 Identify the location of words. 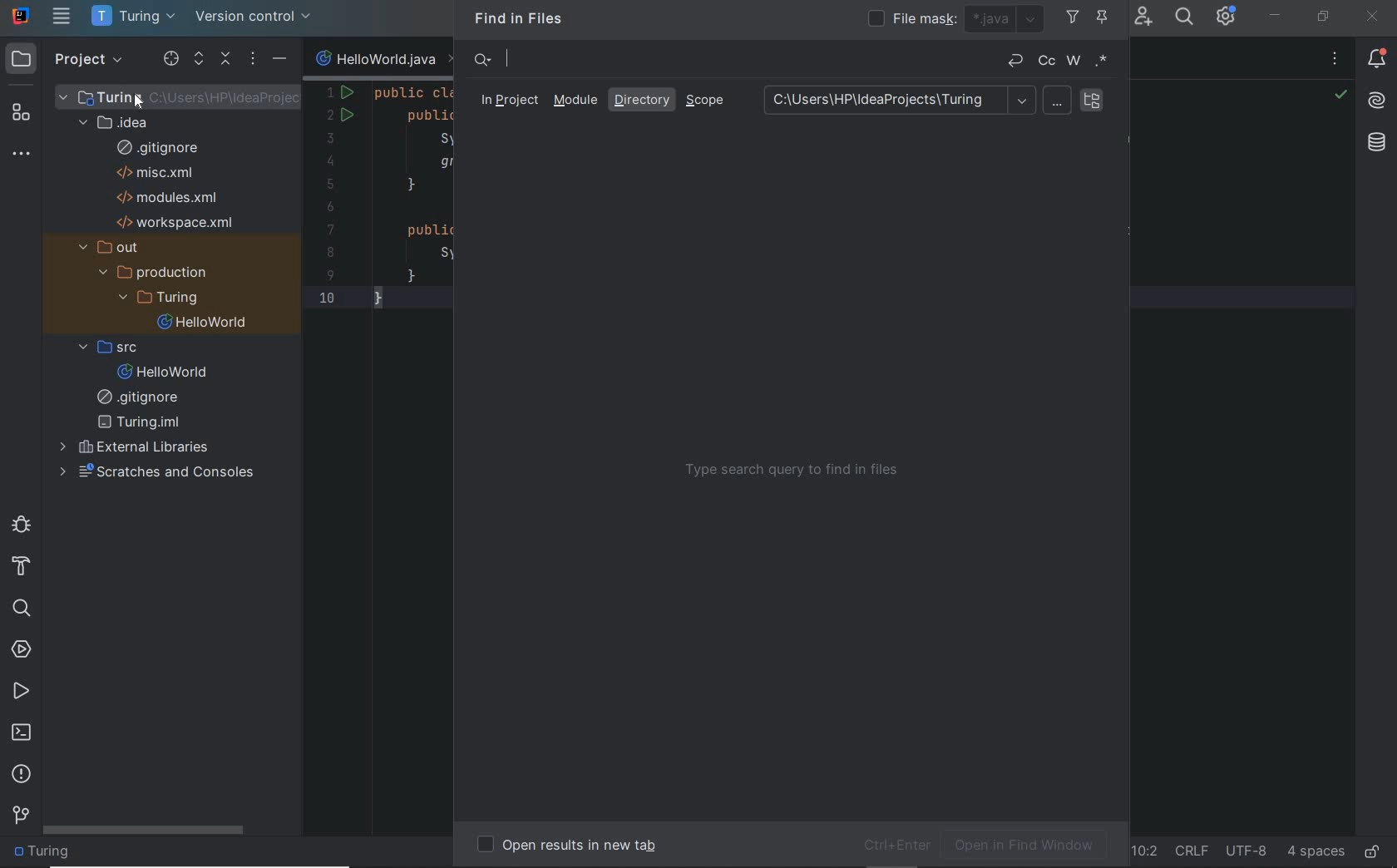
(1074, 61).